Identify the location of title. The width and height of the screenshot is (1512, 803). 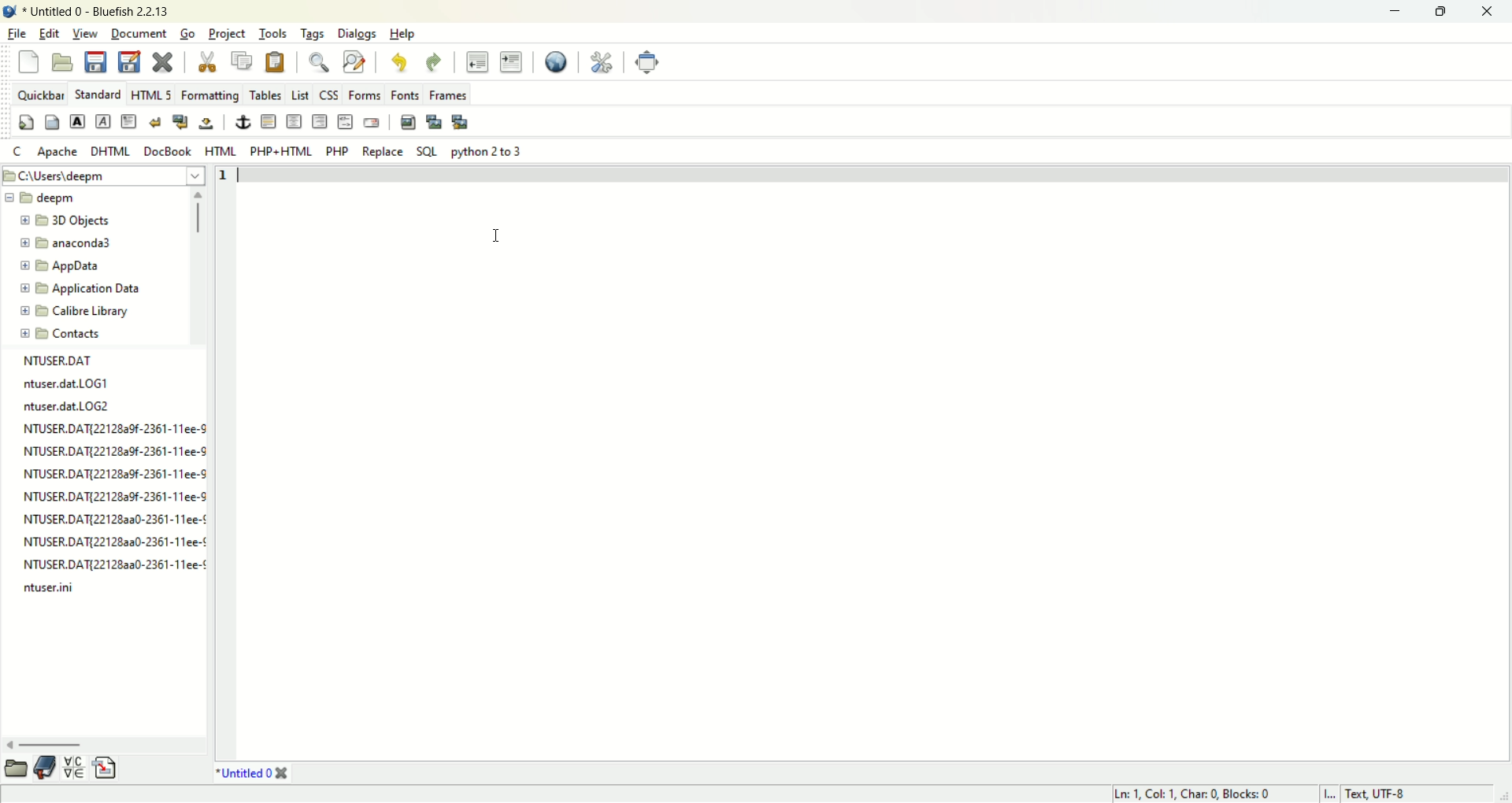
(100, 10).